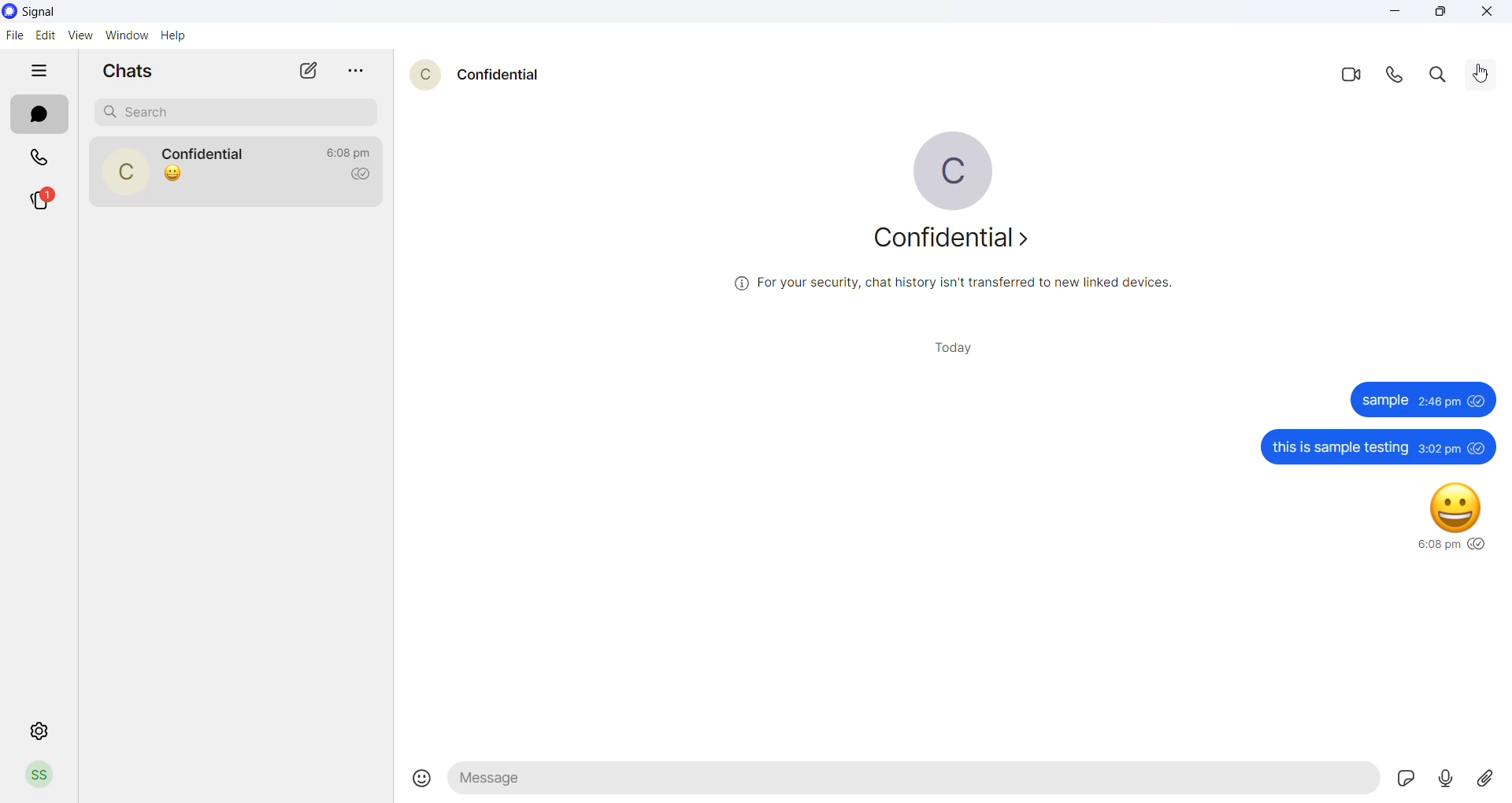 Image resolution: width=1512 pixels, height=803 pixels. I want to click on last message, so click(177, 176).